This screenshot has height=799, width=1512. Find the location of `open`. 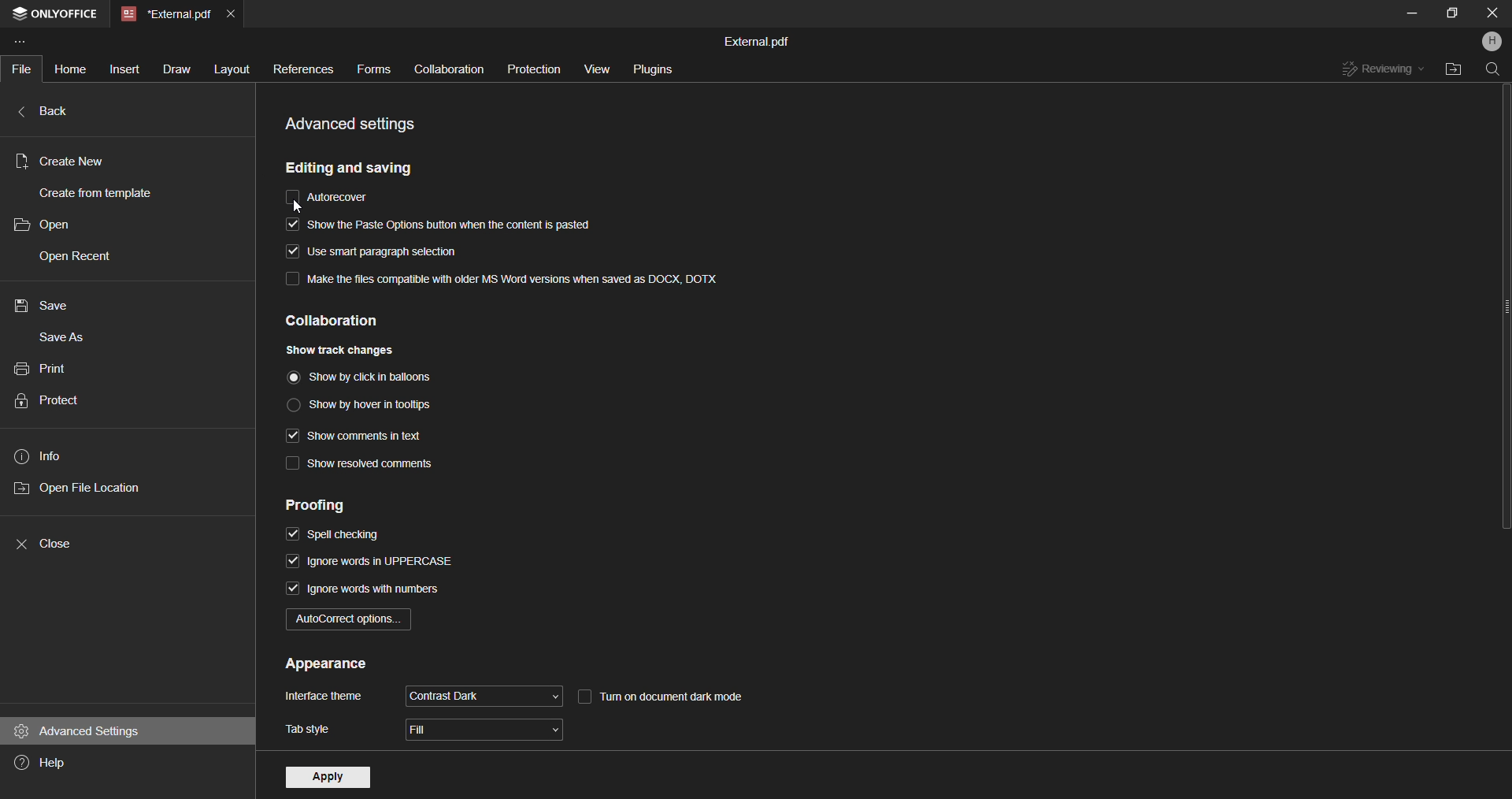

open is located at coordinates (52, 225).